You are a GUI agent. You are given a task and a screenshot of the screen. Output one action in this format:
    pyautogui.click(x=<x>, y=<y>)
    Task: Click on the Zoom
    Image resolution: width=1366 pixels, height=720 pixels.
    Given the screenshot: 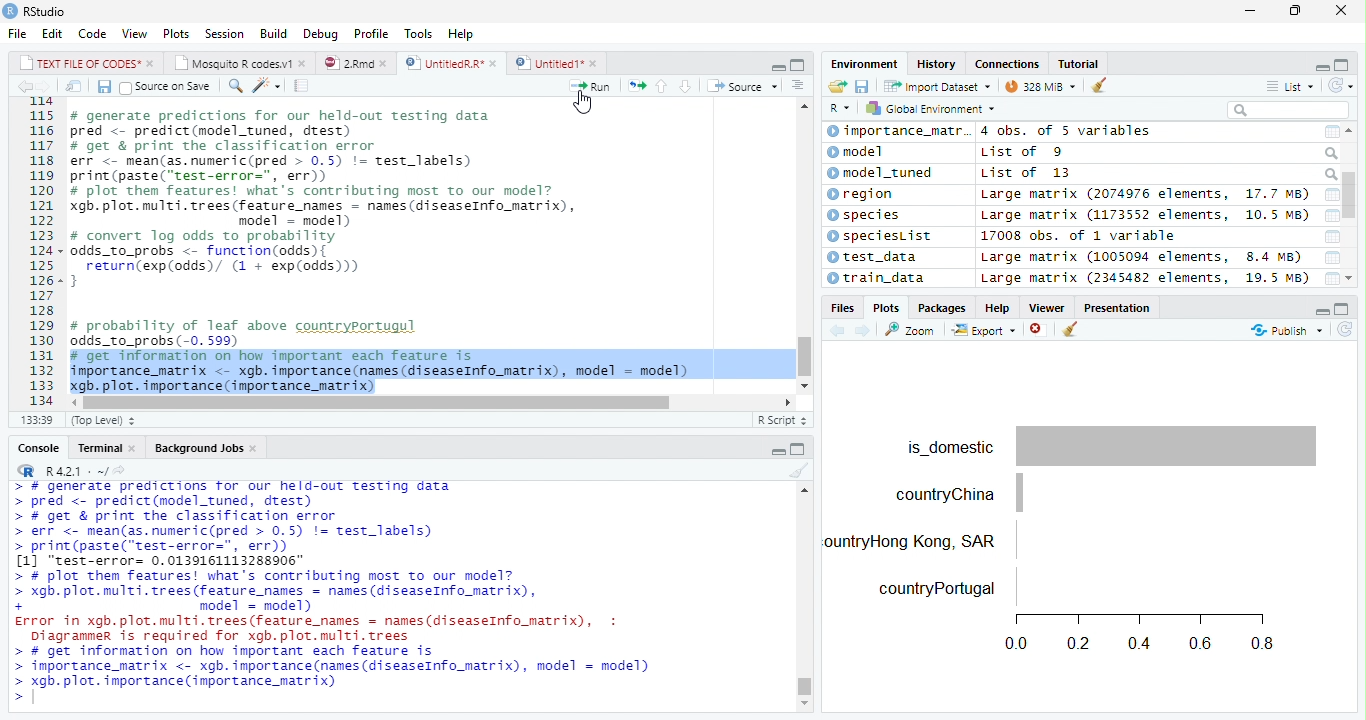 What is the action you would take?
    pyautogui.click(x=911, y=328)
    